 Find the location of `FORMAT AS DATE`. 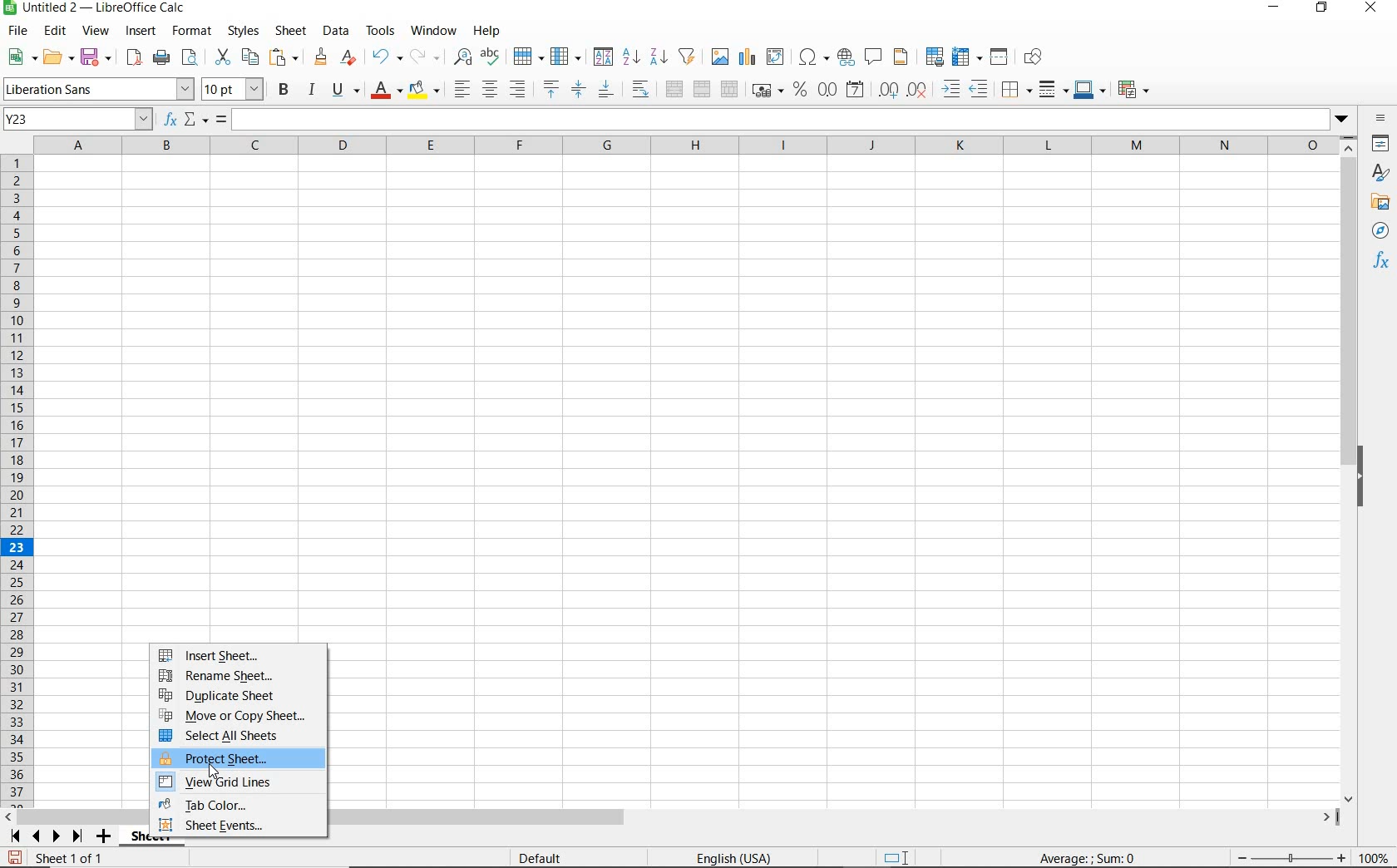

FORMAT AS DATE is located at coordinates (854, 90).